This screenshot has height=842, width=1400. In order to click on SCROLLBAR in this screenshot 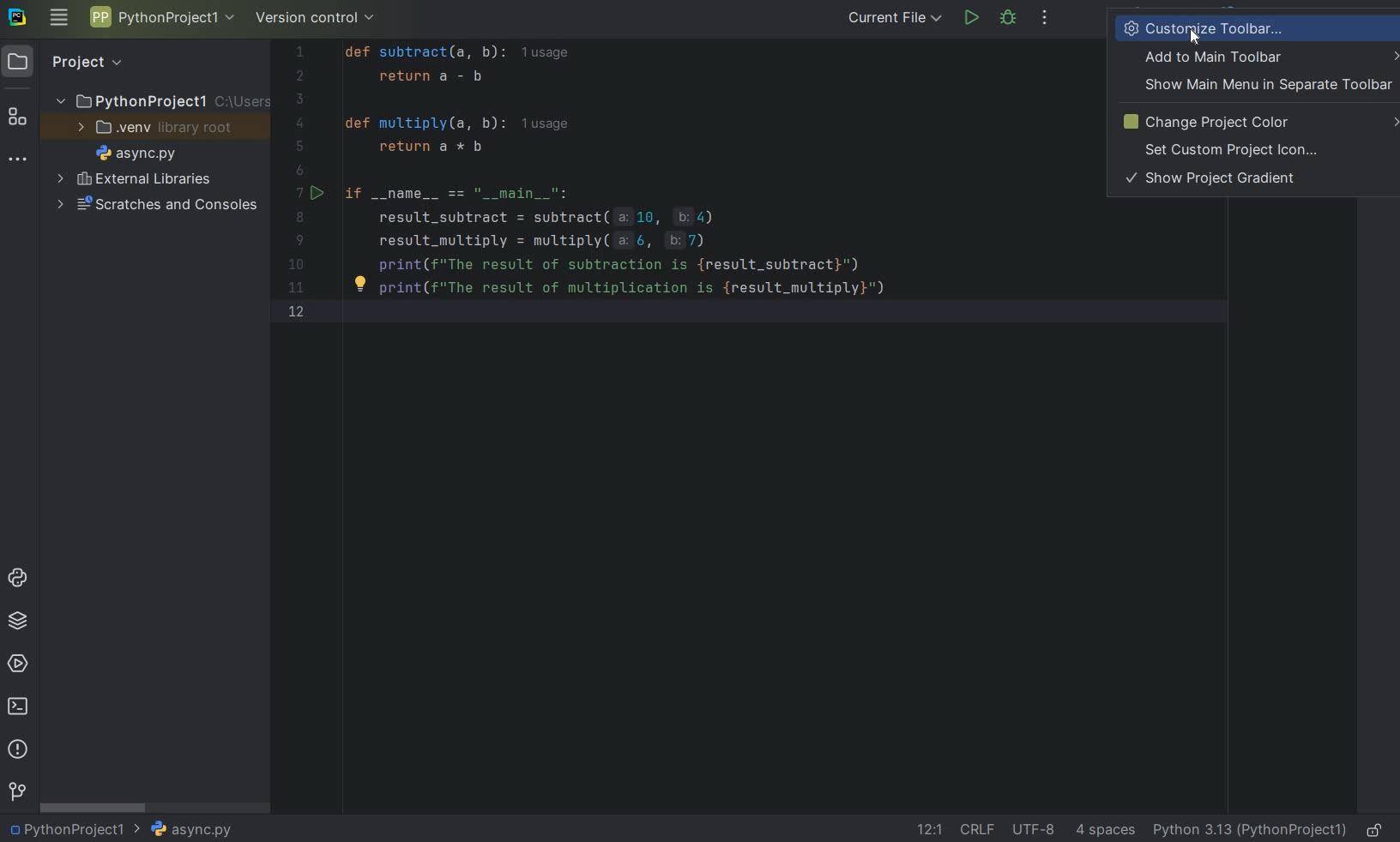, I will do `click(94, 806)`.